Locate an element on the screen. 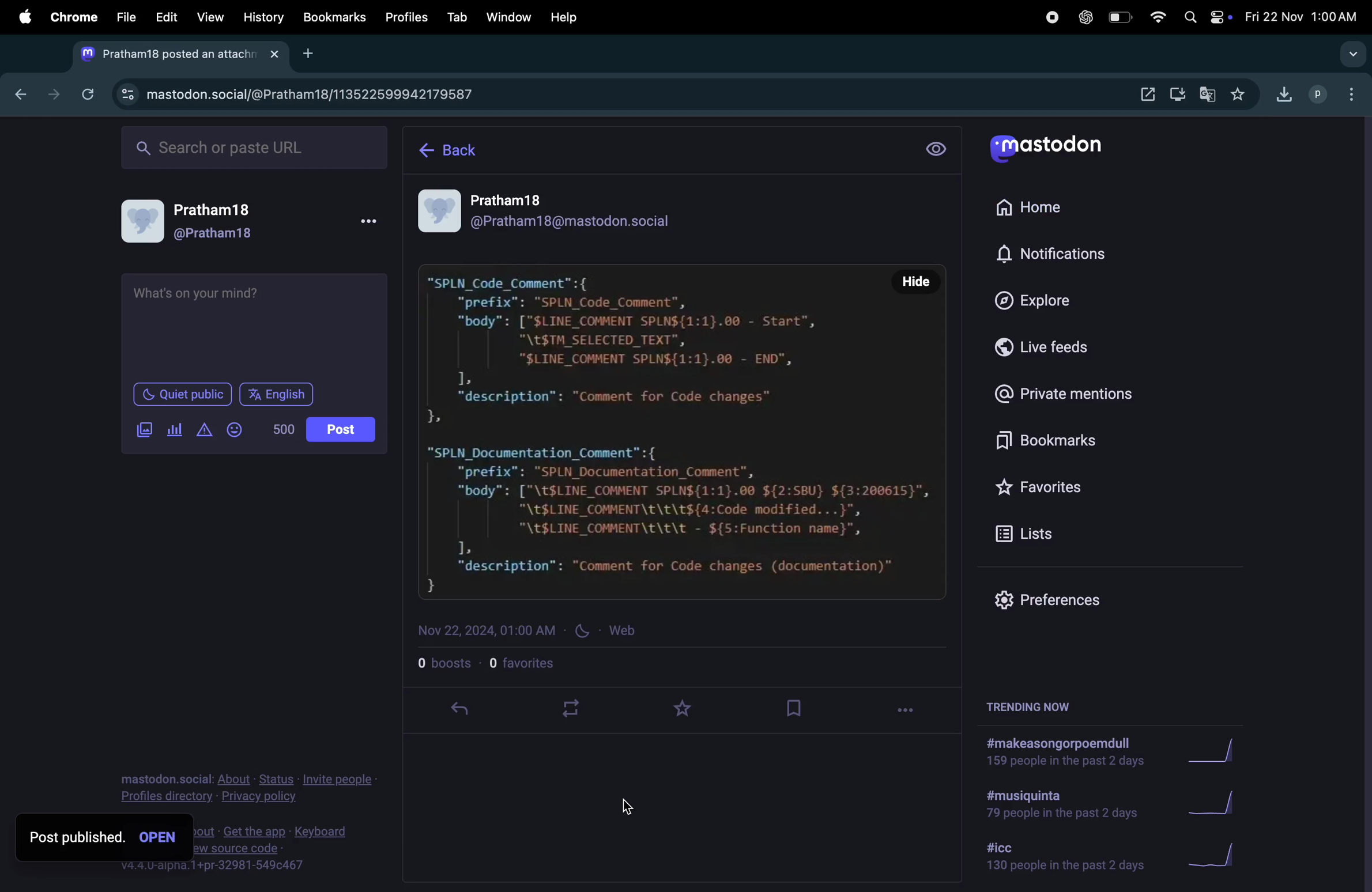 The image size is (1372, 892). content warning is located at coordinates (203, 432).